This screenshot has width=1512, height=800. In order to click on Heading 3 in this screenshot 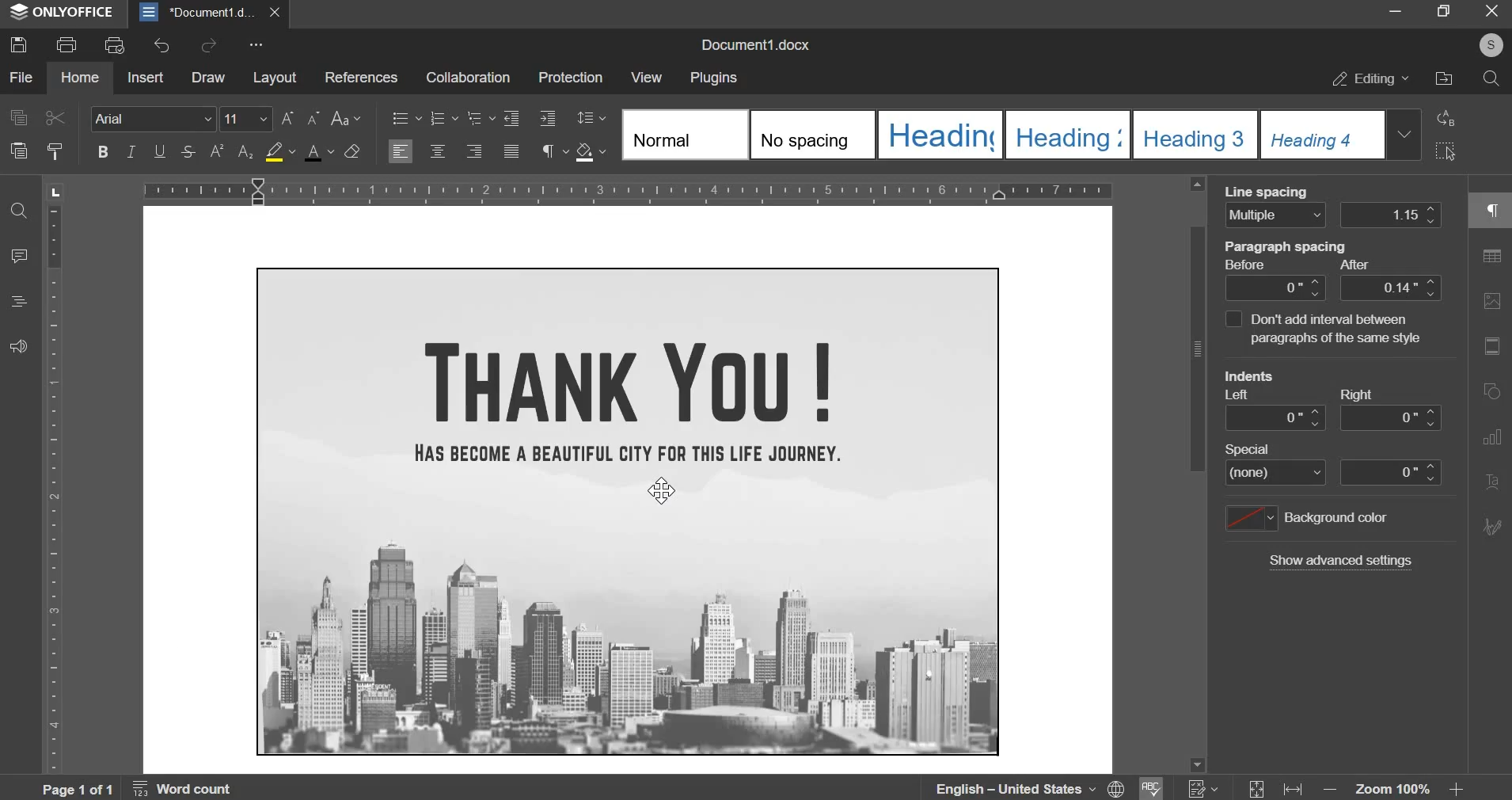, I will do `click(1192, 135)`.